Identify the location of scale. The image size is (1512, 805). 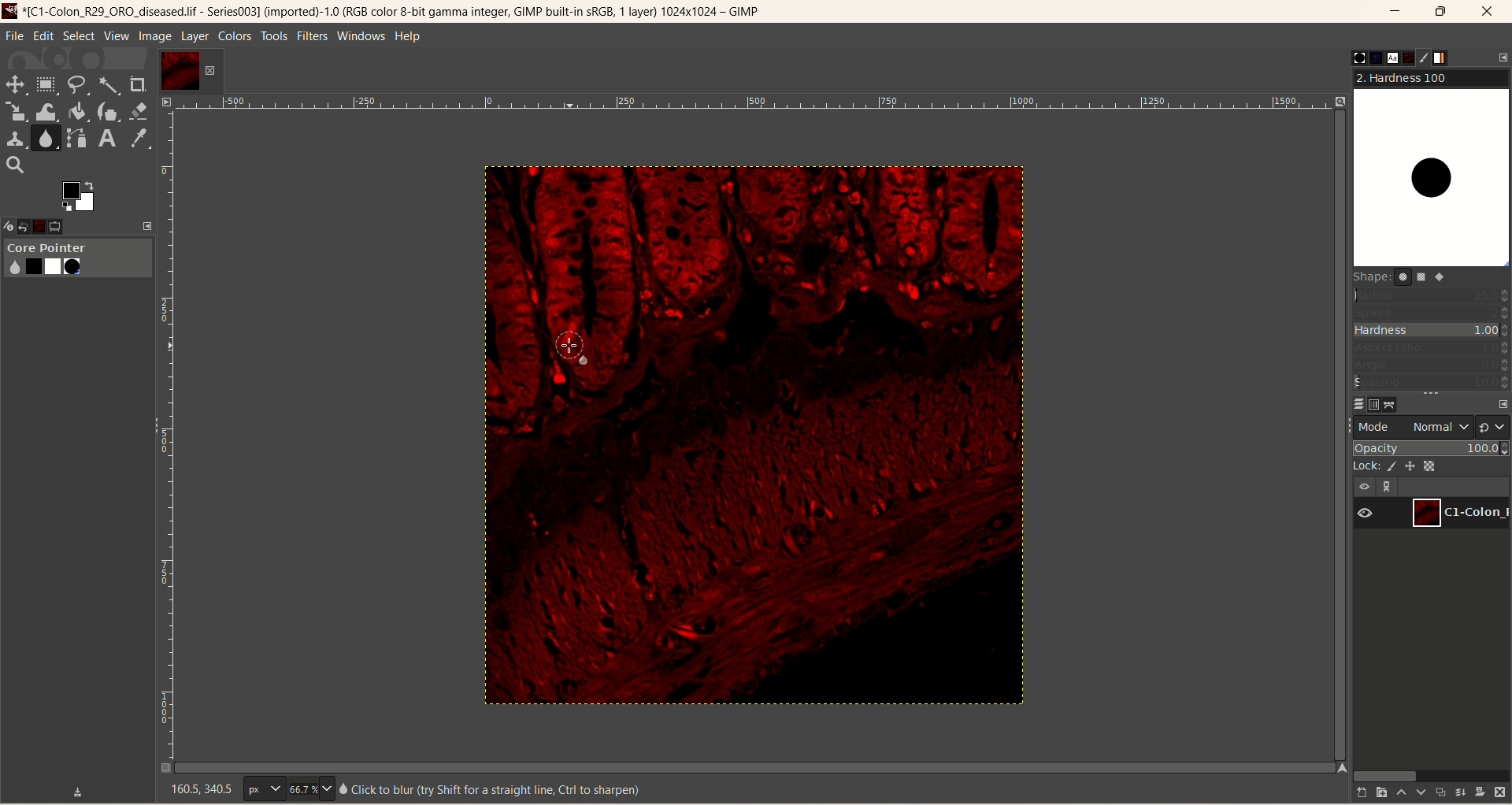
(16, 112).